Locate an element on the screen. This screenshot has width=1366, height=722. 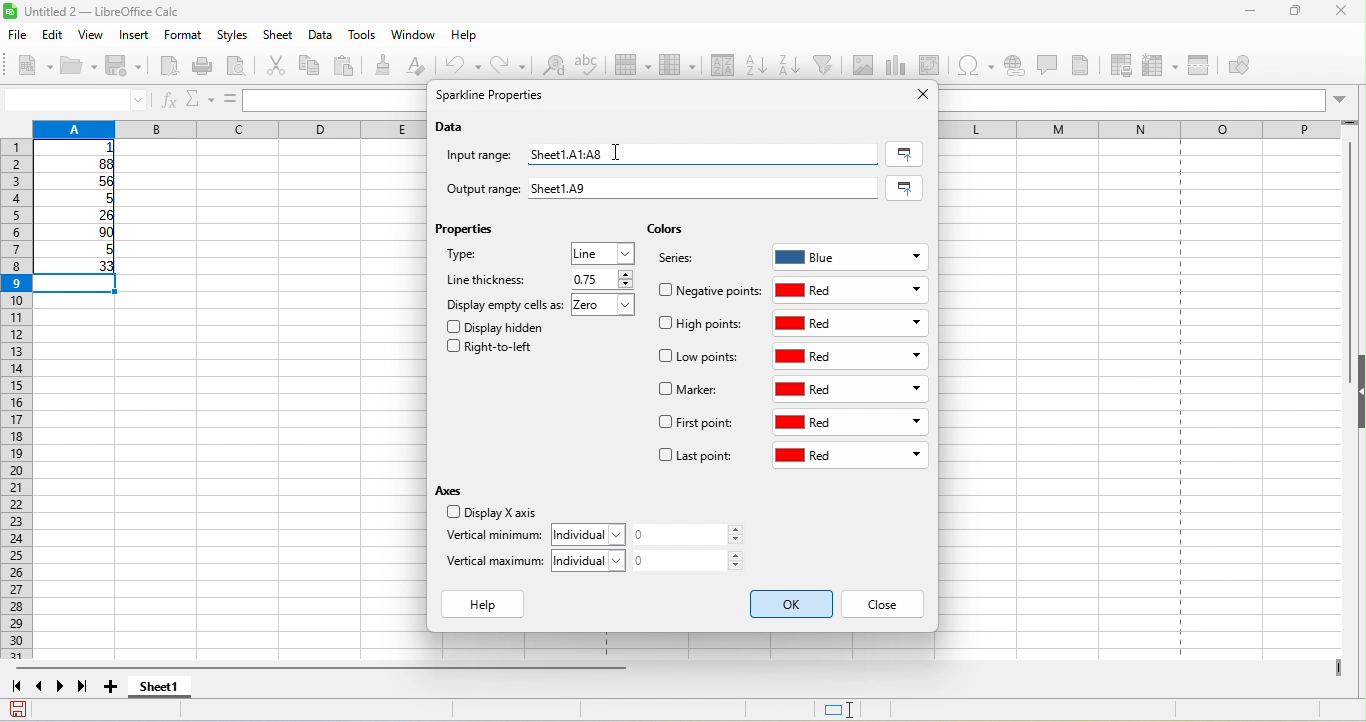
split window is located at coordinates (1207, 66).